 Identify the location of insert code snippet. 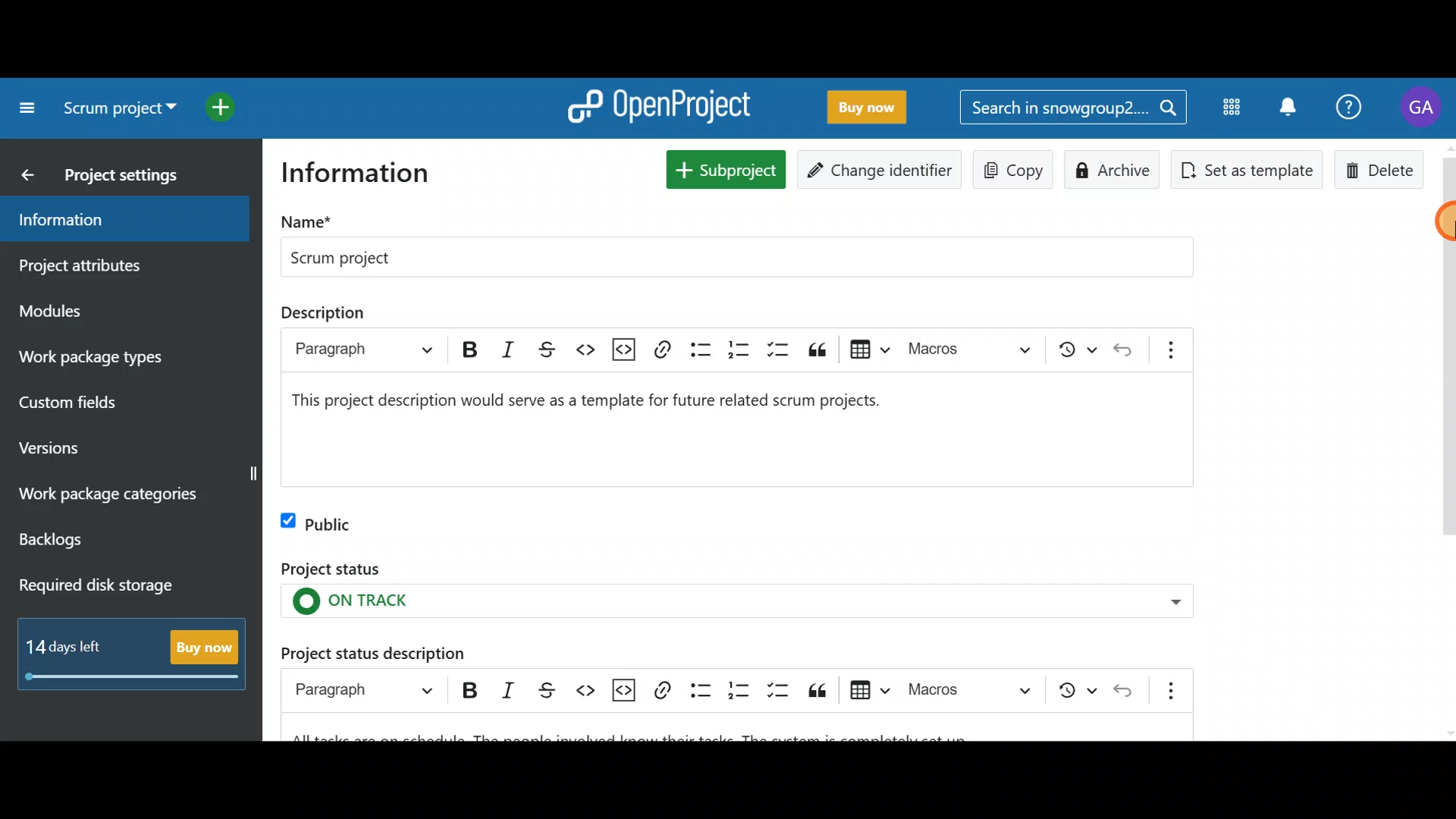
(625, 349).